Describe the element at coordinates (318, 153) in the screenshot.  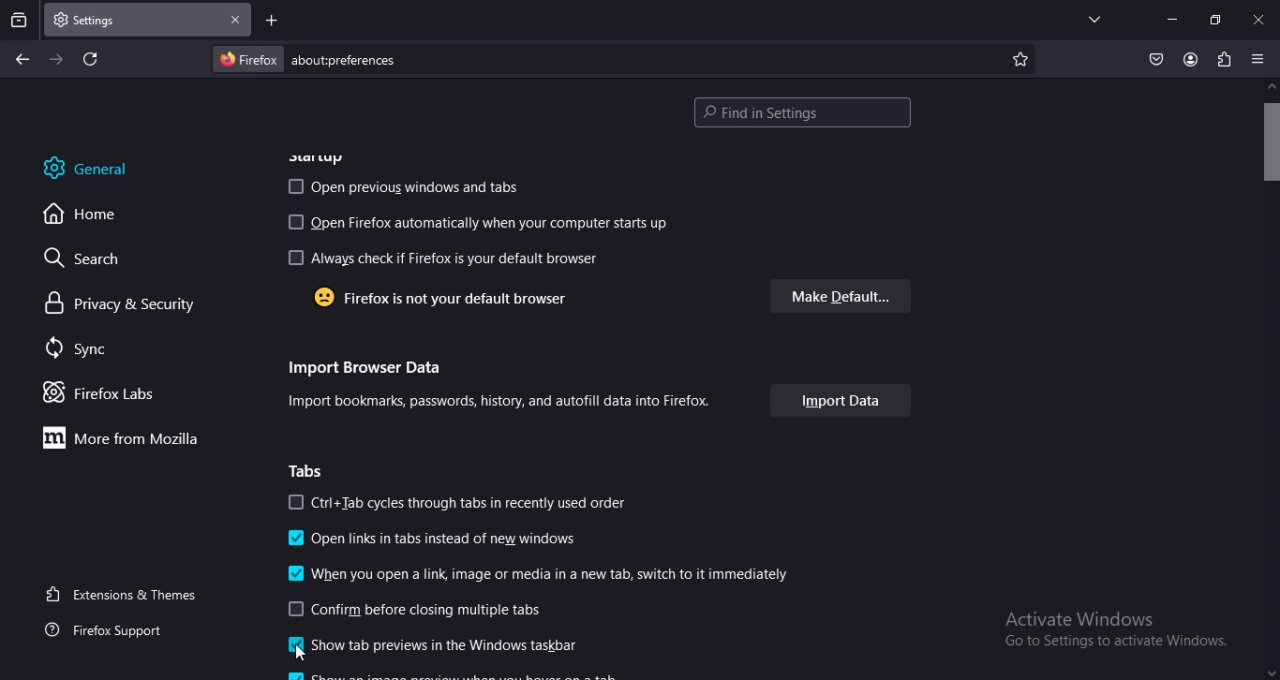
I see `startup` at that location.